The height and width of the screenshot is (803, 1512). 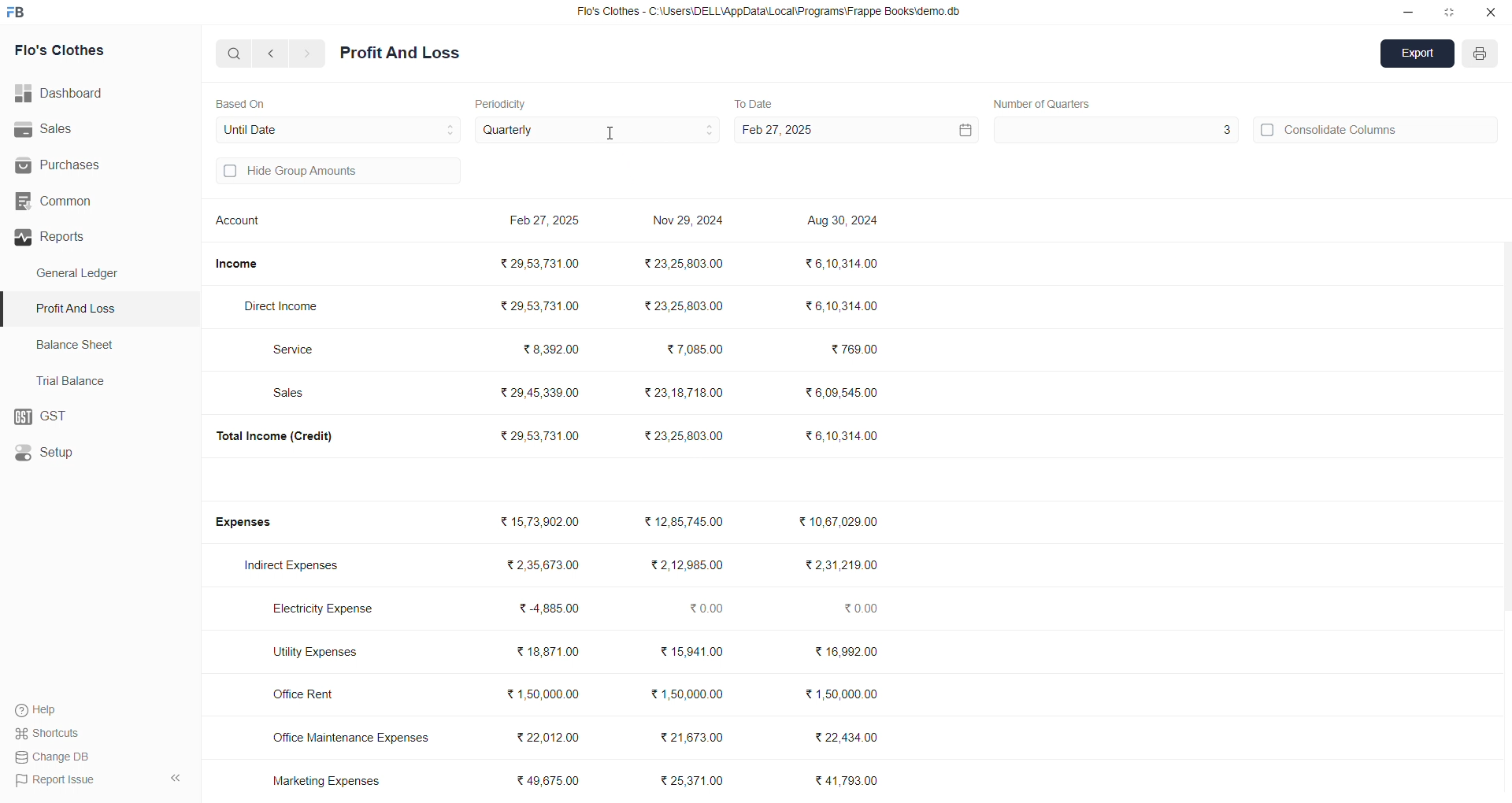 What do you see at coordinates (845, 222) in the screenshot?
I see `Aug 30, 2024` at bounding box center [845, 222].